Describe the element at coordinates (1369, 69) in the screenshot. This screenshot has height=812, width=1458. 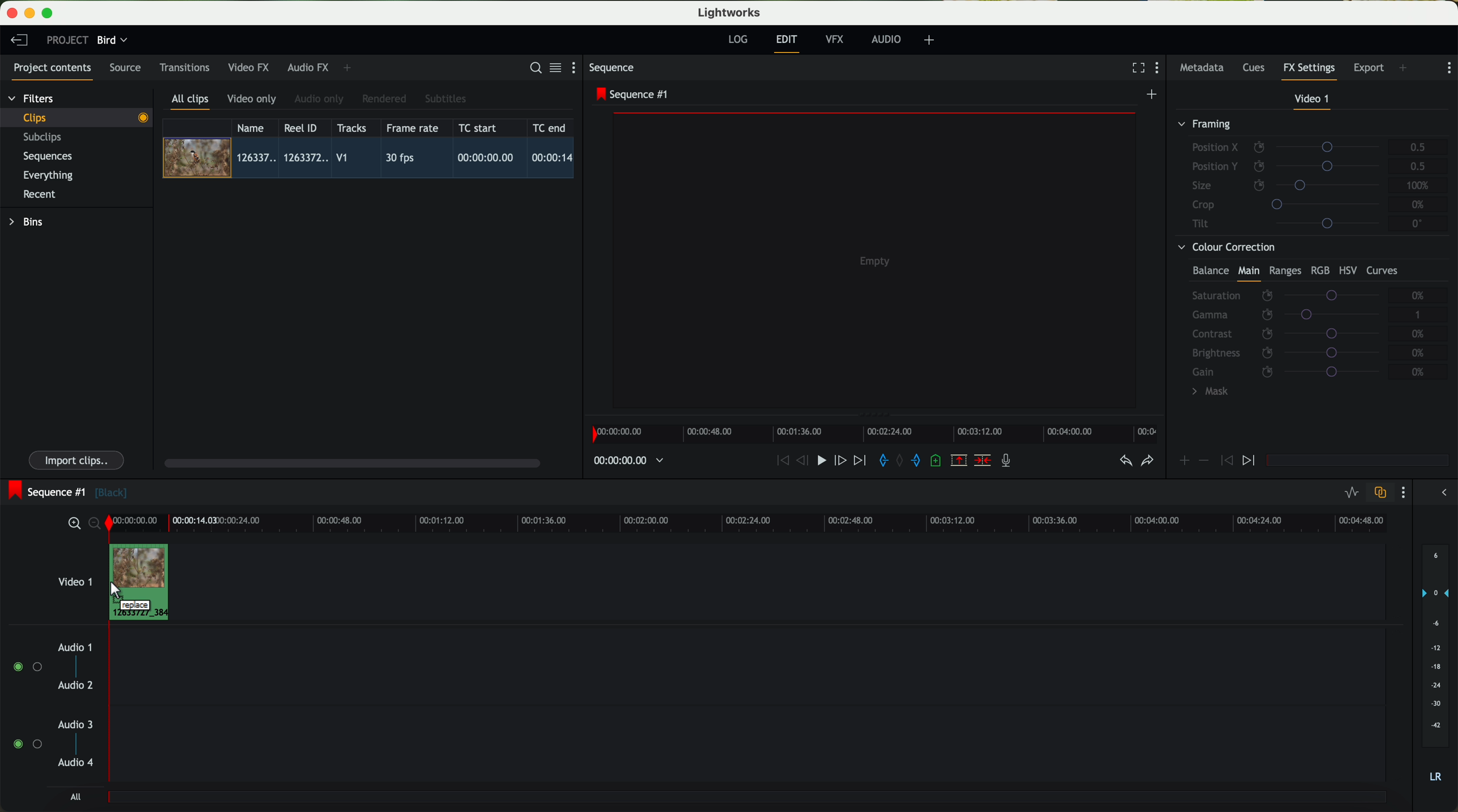
I see `export` at that location.